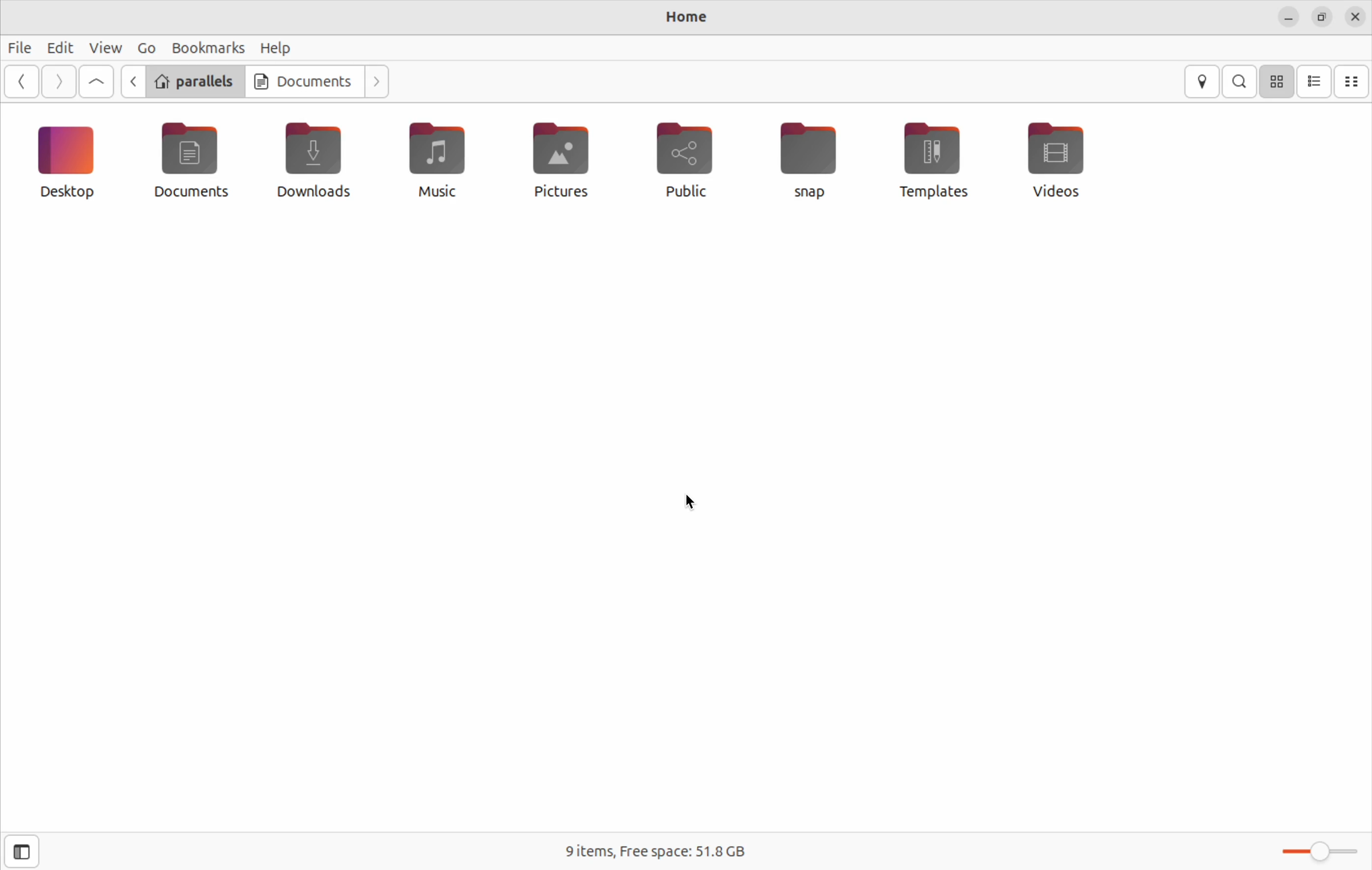  Describe the element at coordinates (20, 852) in the screenshot. I see `openside bar` at that location.